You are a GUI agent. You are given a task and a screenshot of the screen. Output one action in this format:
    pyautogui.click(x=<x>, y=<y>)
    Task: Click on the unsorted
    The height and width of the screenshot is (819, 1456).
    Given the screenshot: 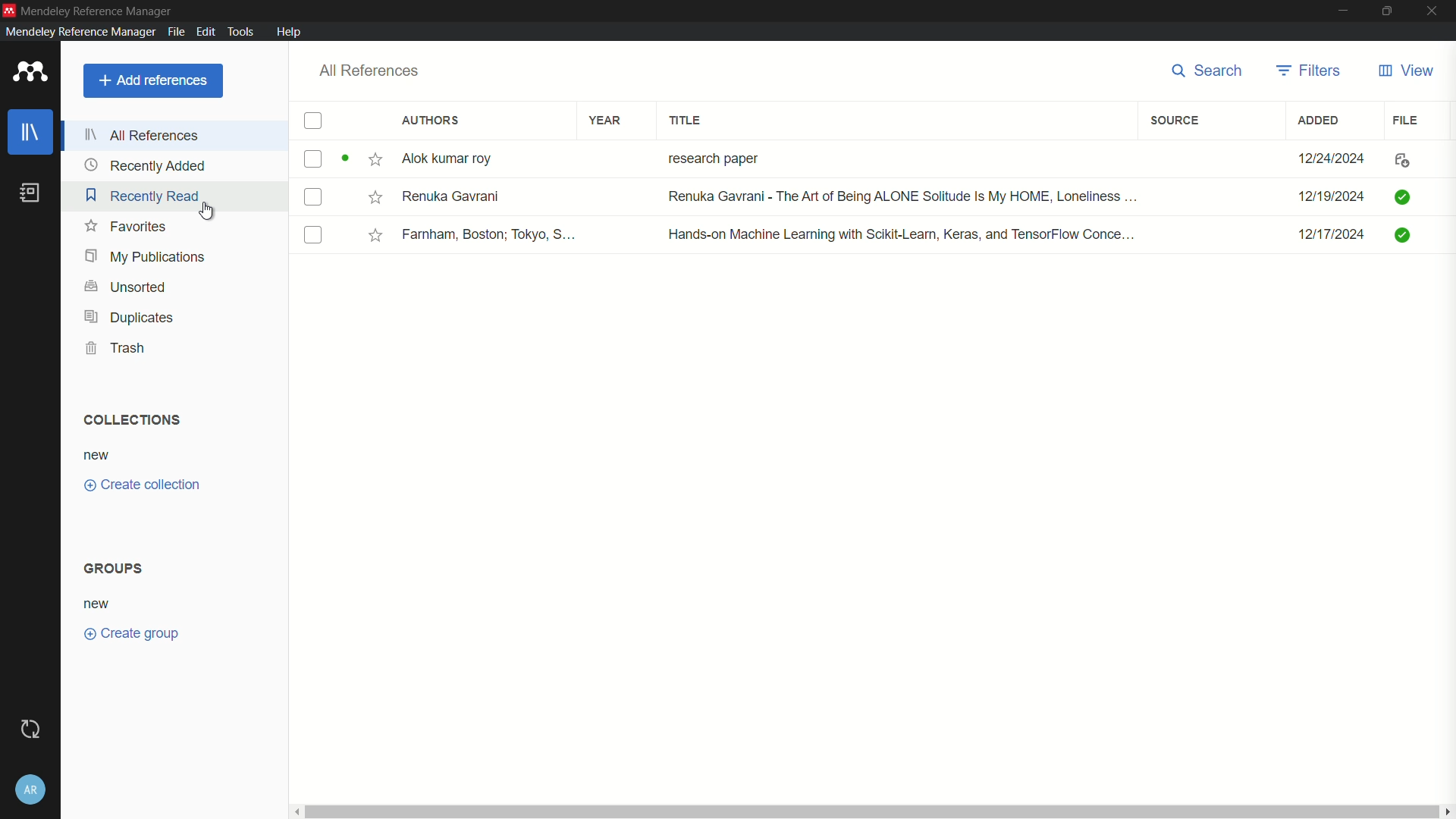 What is the action you would take?
    pyautogui.click(x=126, y=287)
    